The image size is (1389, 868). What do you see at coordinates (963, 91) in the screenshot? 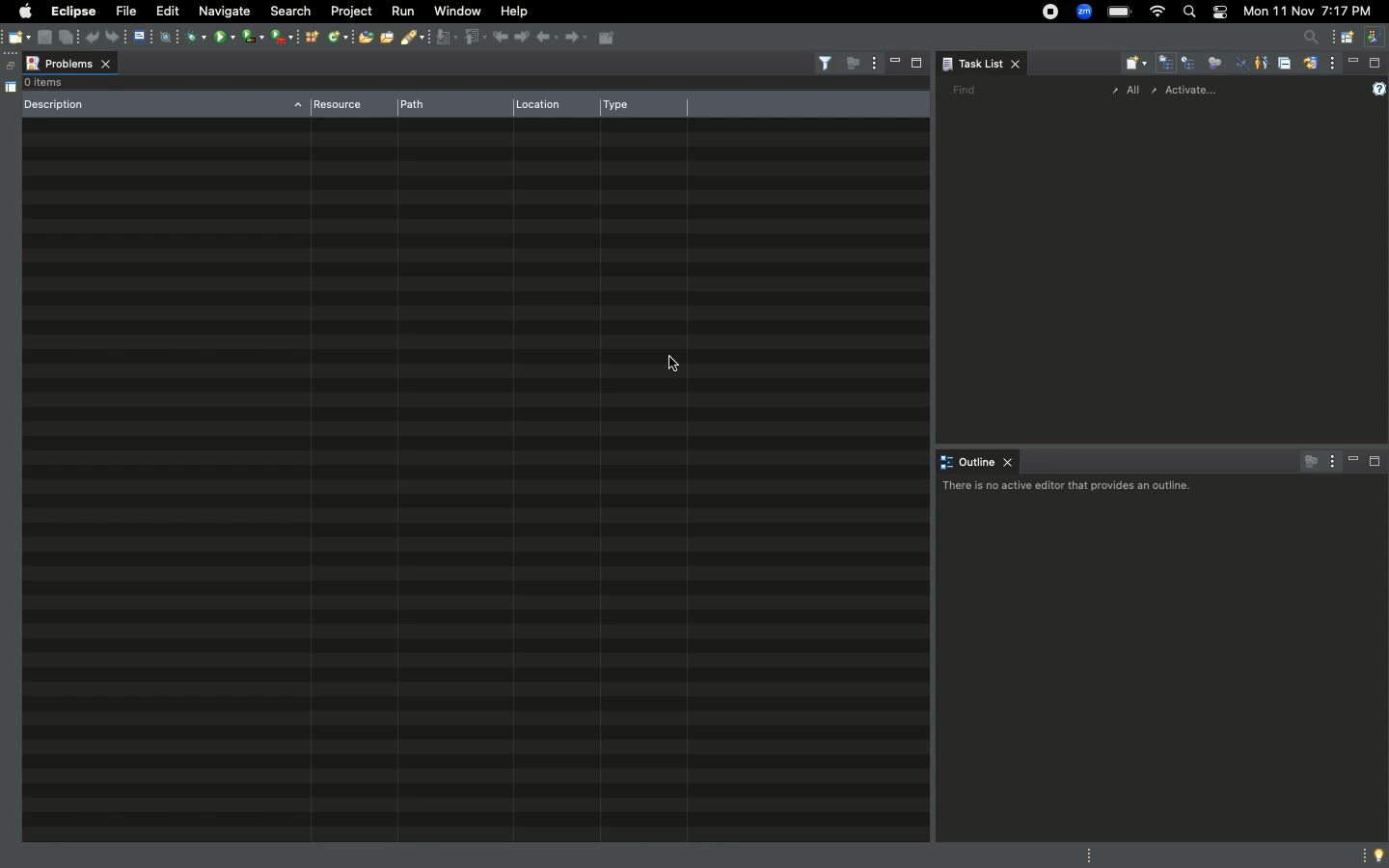
I see `find` at bounding box center [963, 91].